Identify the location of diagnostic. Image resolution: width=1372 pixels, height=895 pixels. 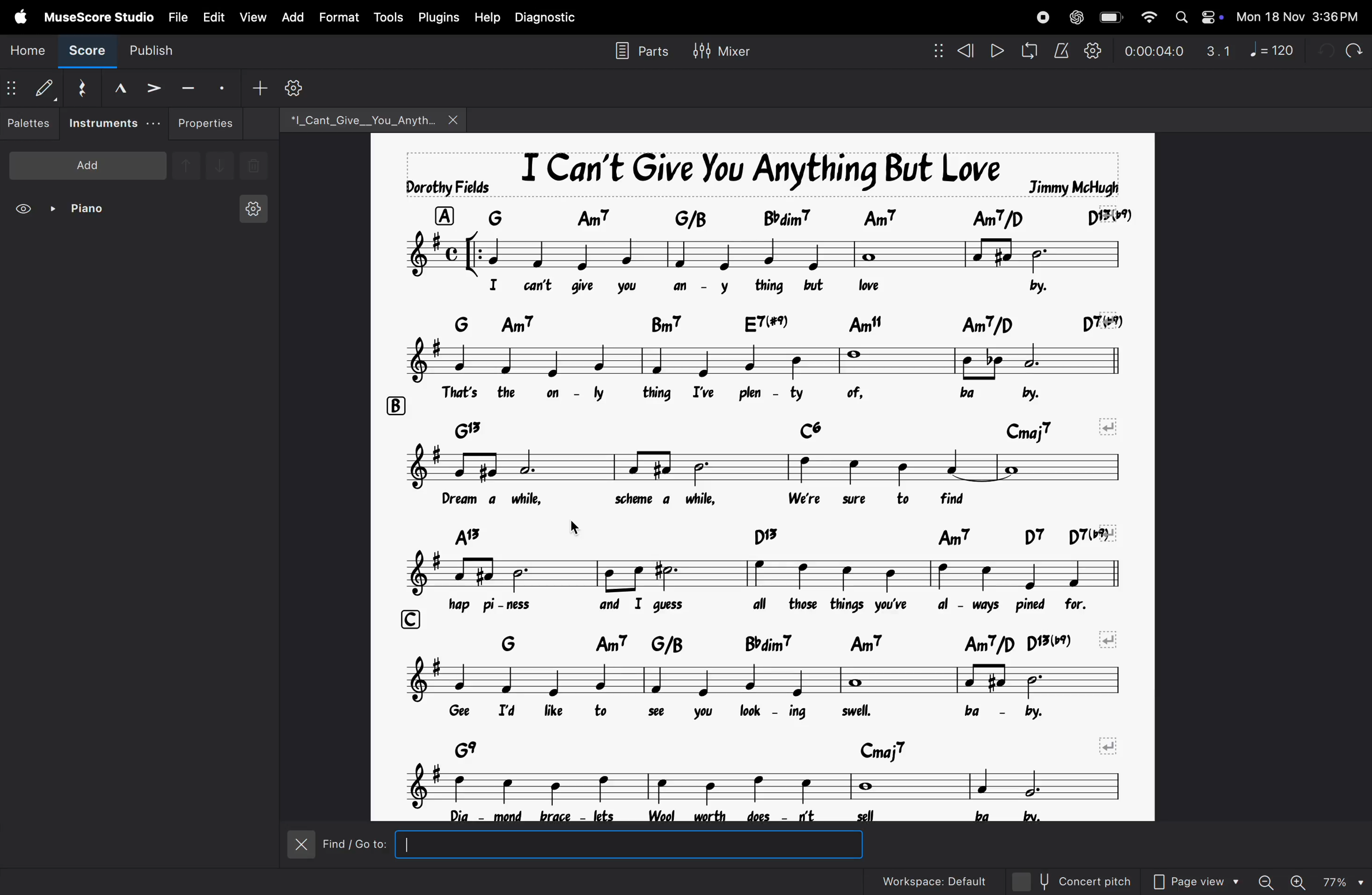
(549, 17).